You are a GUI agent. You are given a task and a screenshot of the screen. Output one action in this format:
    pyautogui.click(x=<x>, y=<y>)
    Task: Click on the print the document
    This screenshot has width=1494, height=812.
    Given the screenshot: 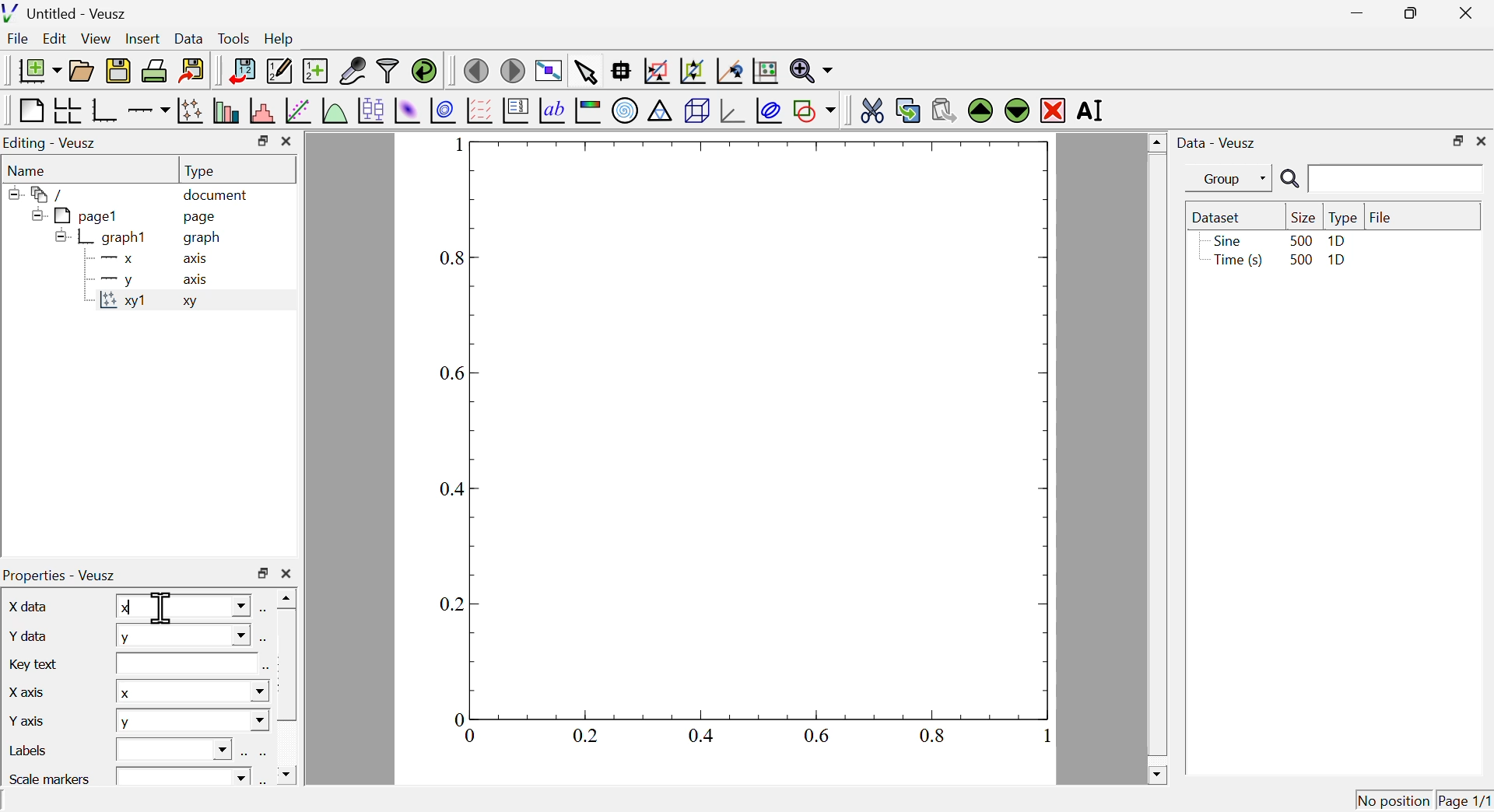 What is the action you would take?
    pyautogui.click(x=156, y=71)
    